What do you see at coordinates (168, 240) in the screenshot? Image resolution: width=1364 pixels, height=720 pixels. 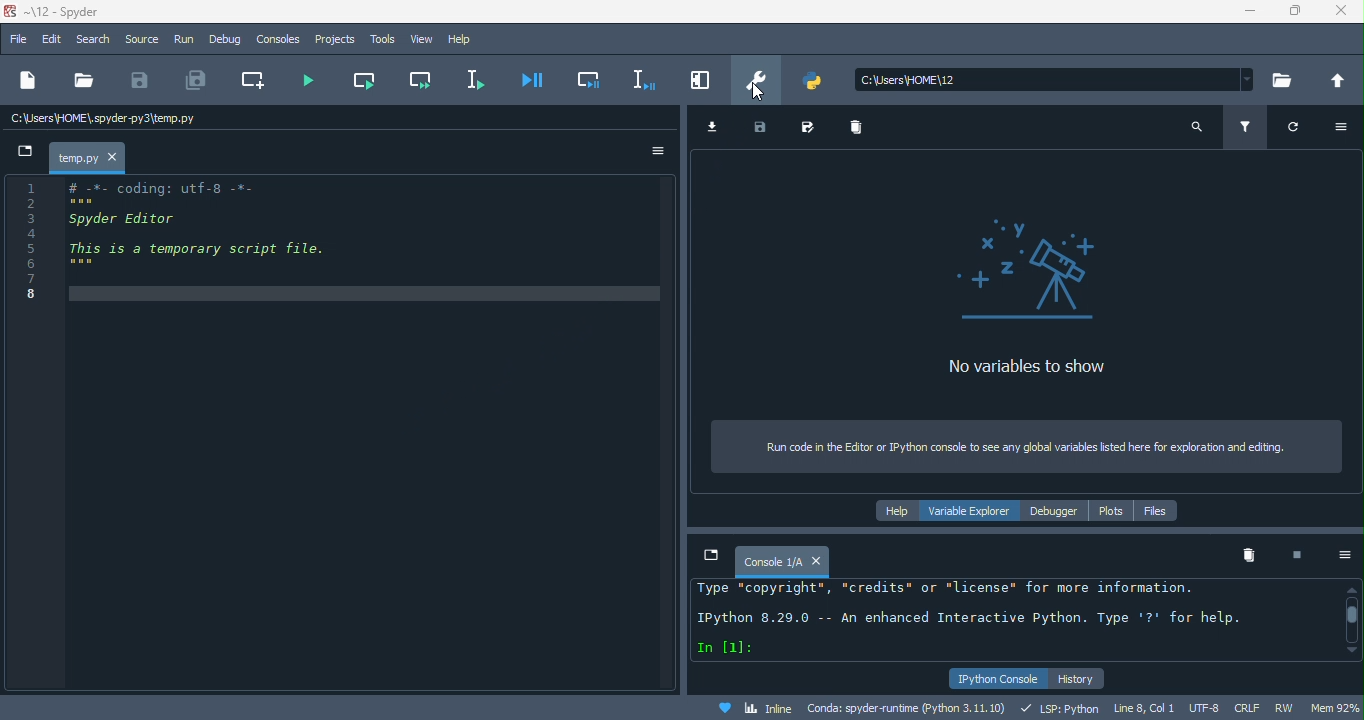 I see `coding` at bounding box center [168, 240].